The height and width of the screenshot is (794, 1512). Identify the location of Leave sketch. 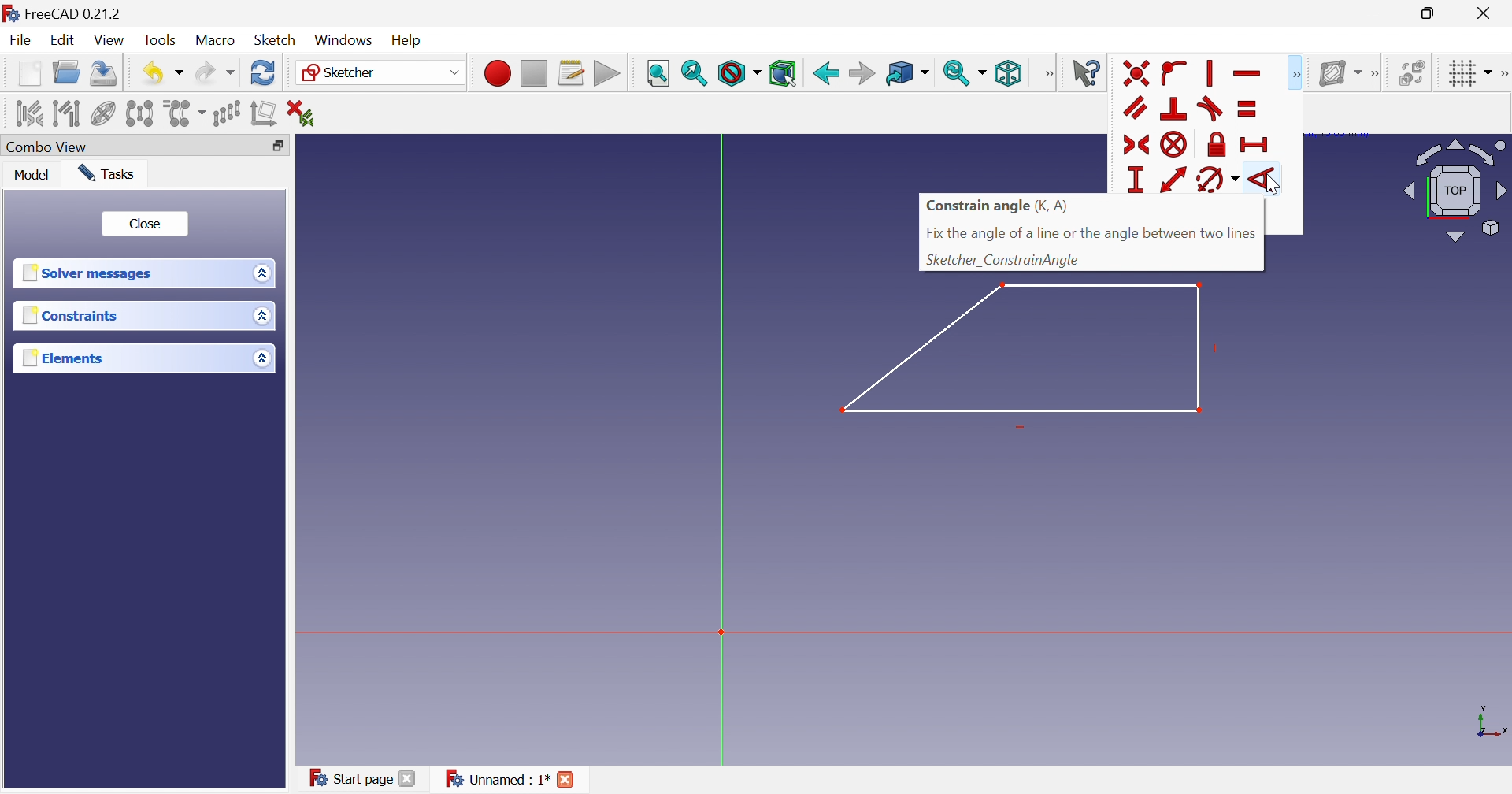
(1136, 75).